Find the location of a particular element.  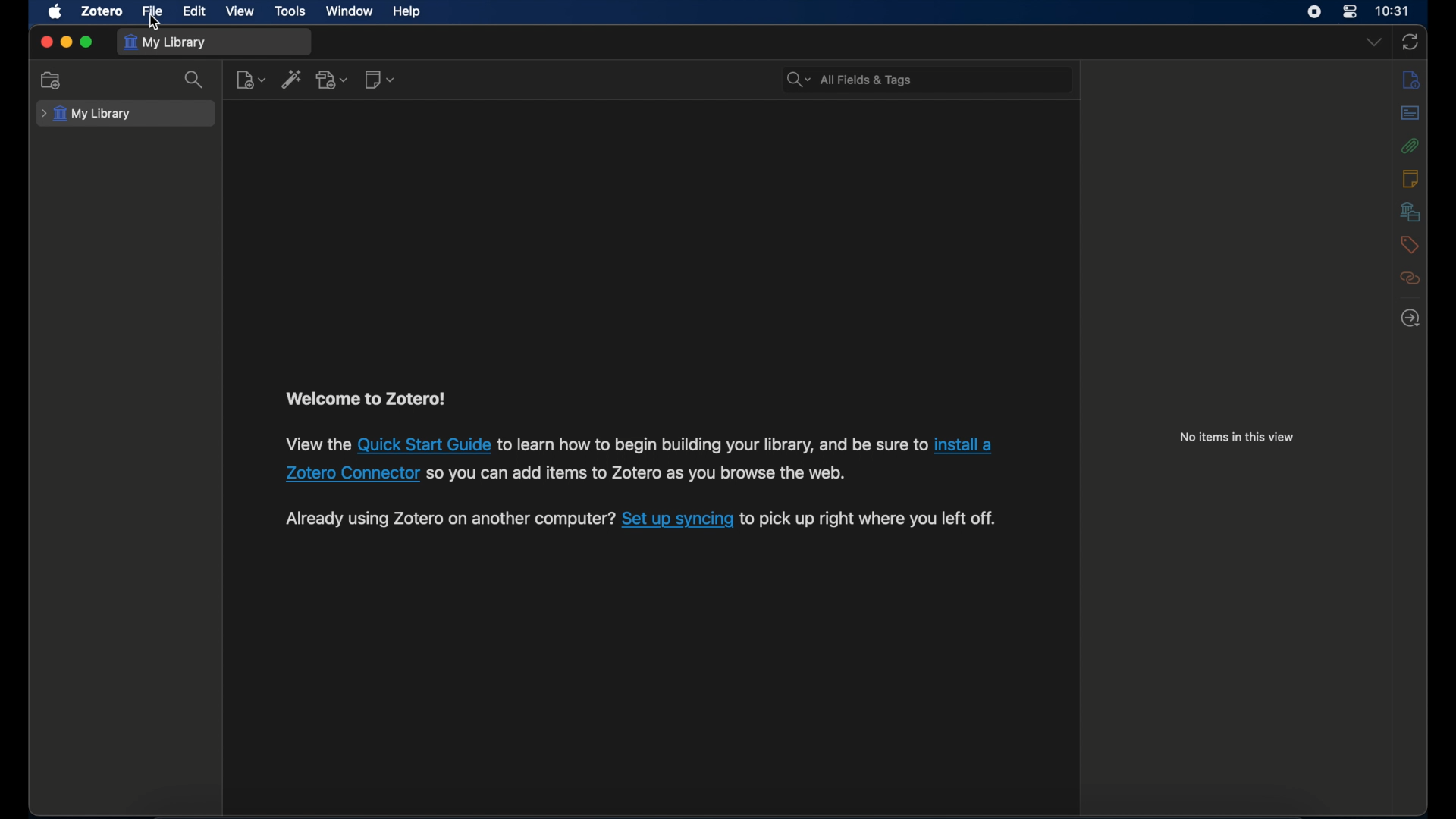

info is located at coordinates (1411, 79).